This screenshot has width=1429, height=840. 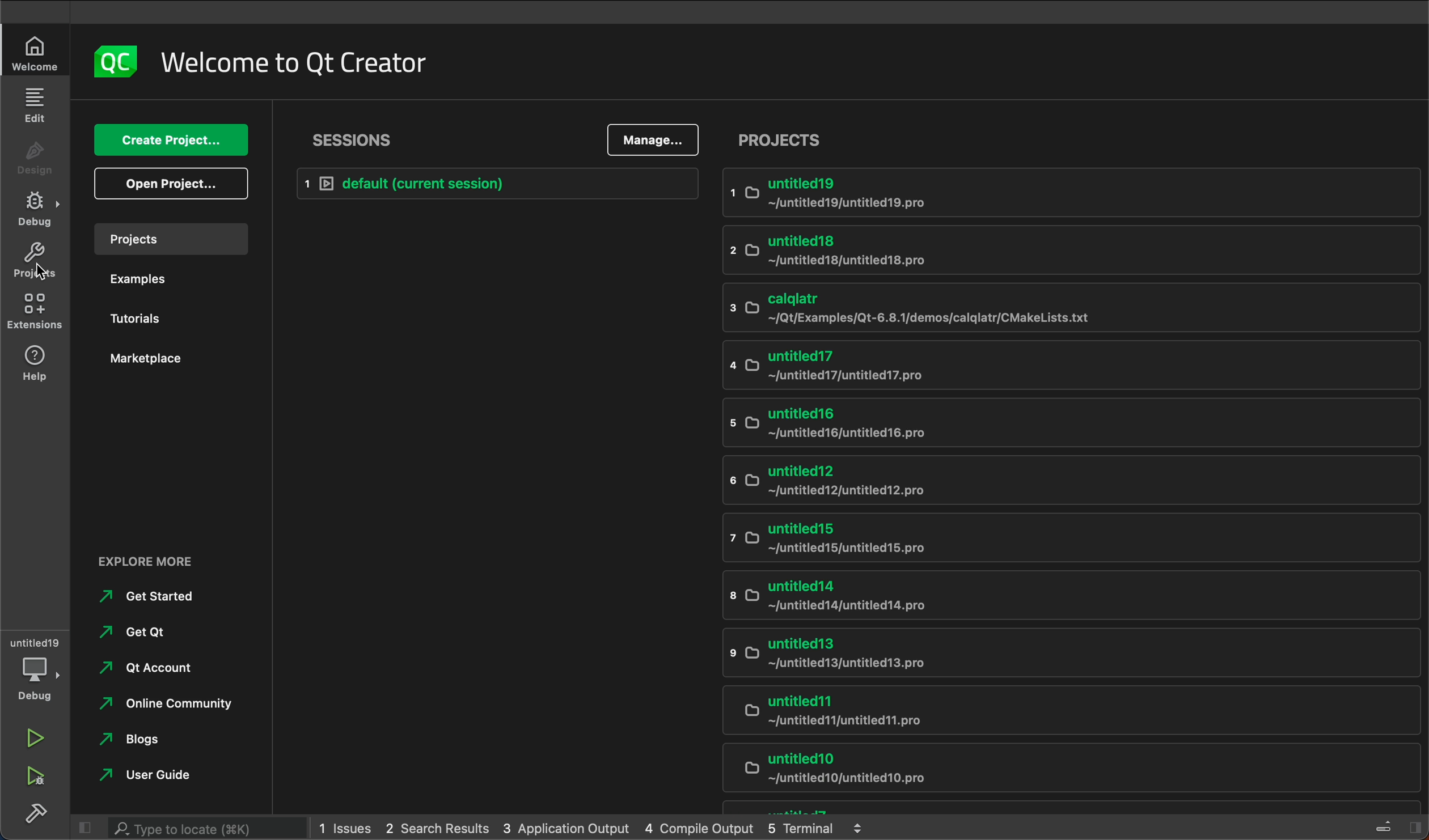 I want to click on untitled19, so click(x=1068, y=190).